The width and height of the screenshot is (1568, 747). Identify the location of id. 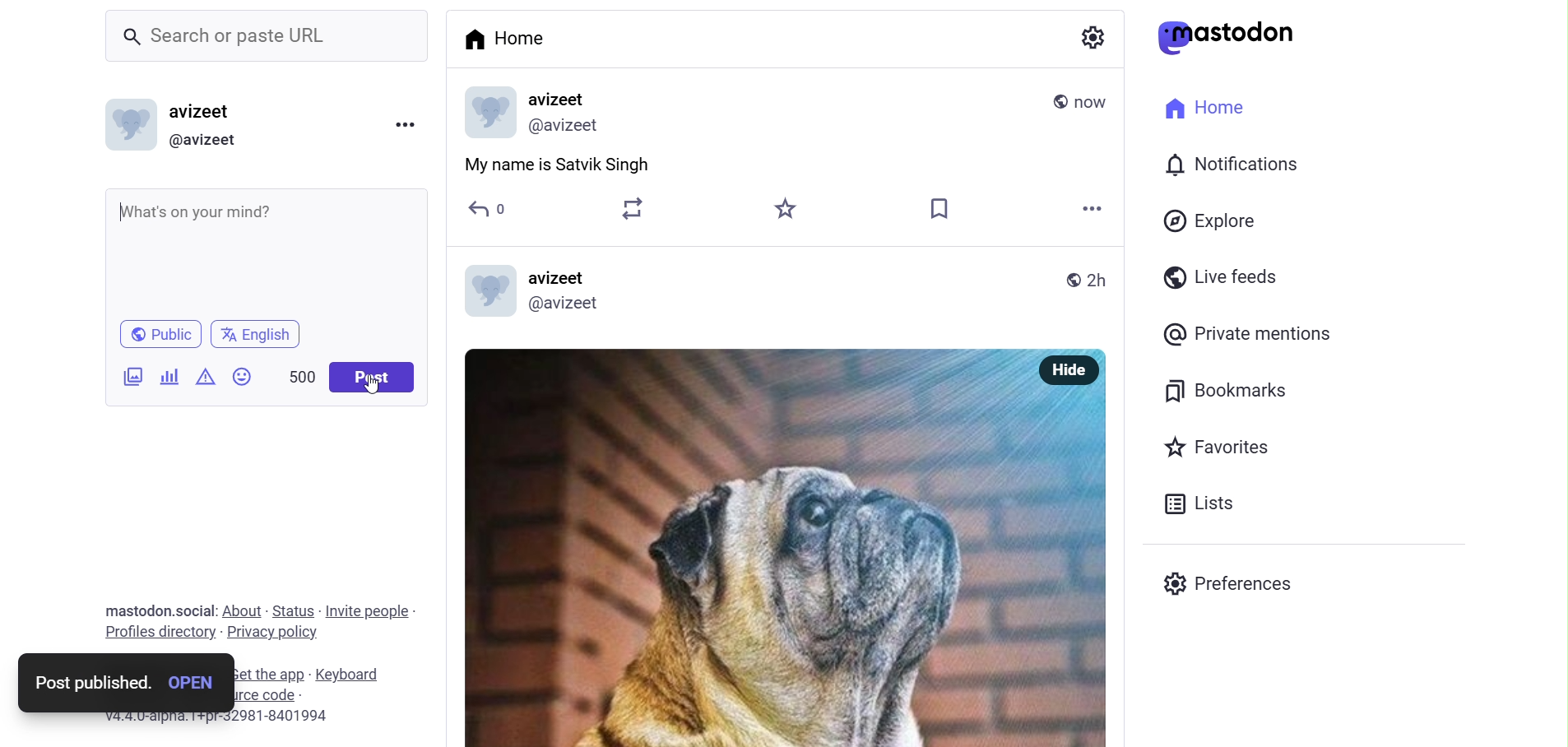
(566, 127).